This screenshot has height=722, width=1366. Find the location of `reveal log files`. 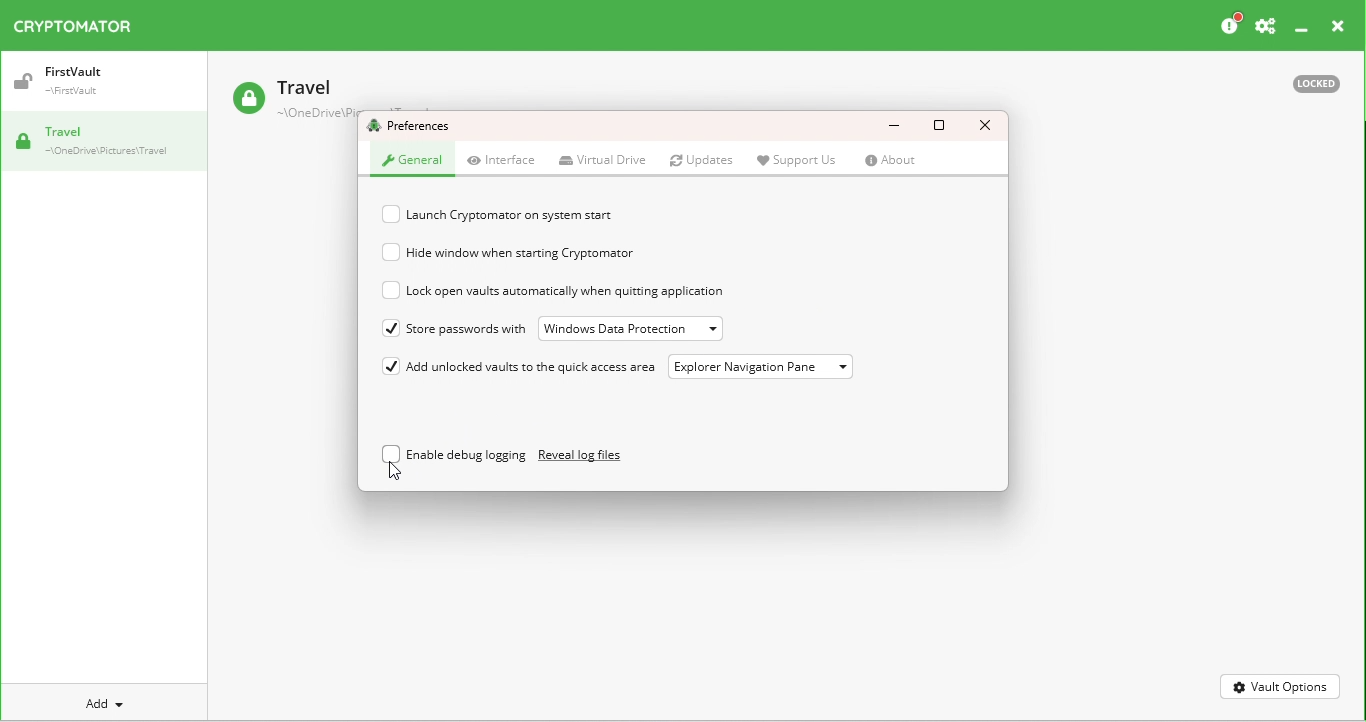

reveal log files is located at coordinates (584, 453).